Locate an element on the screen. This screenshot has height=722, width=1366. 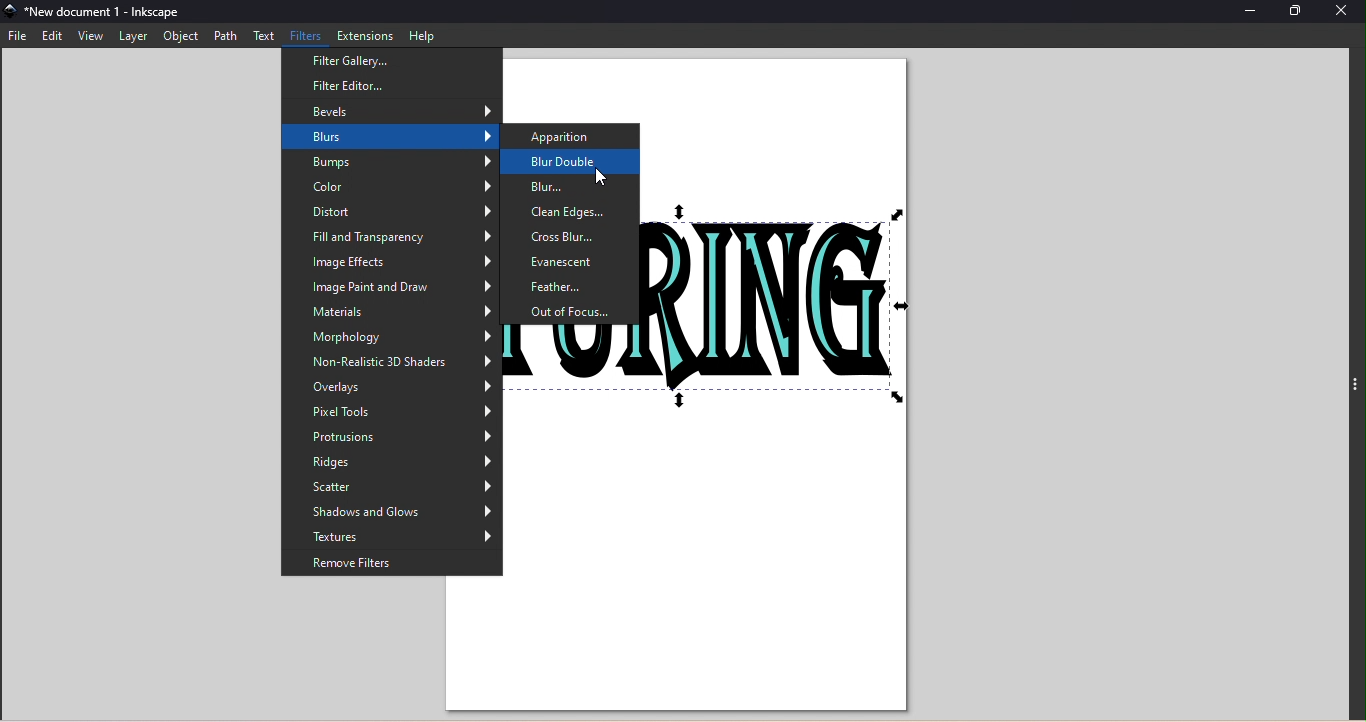
Textures is located at coordinates (390, 540).